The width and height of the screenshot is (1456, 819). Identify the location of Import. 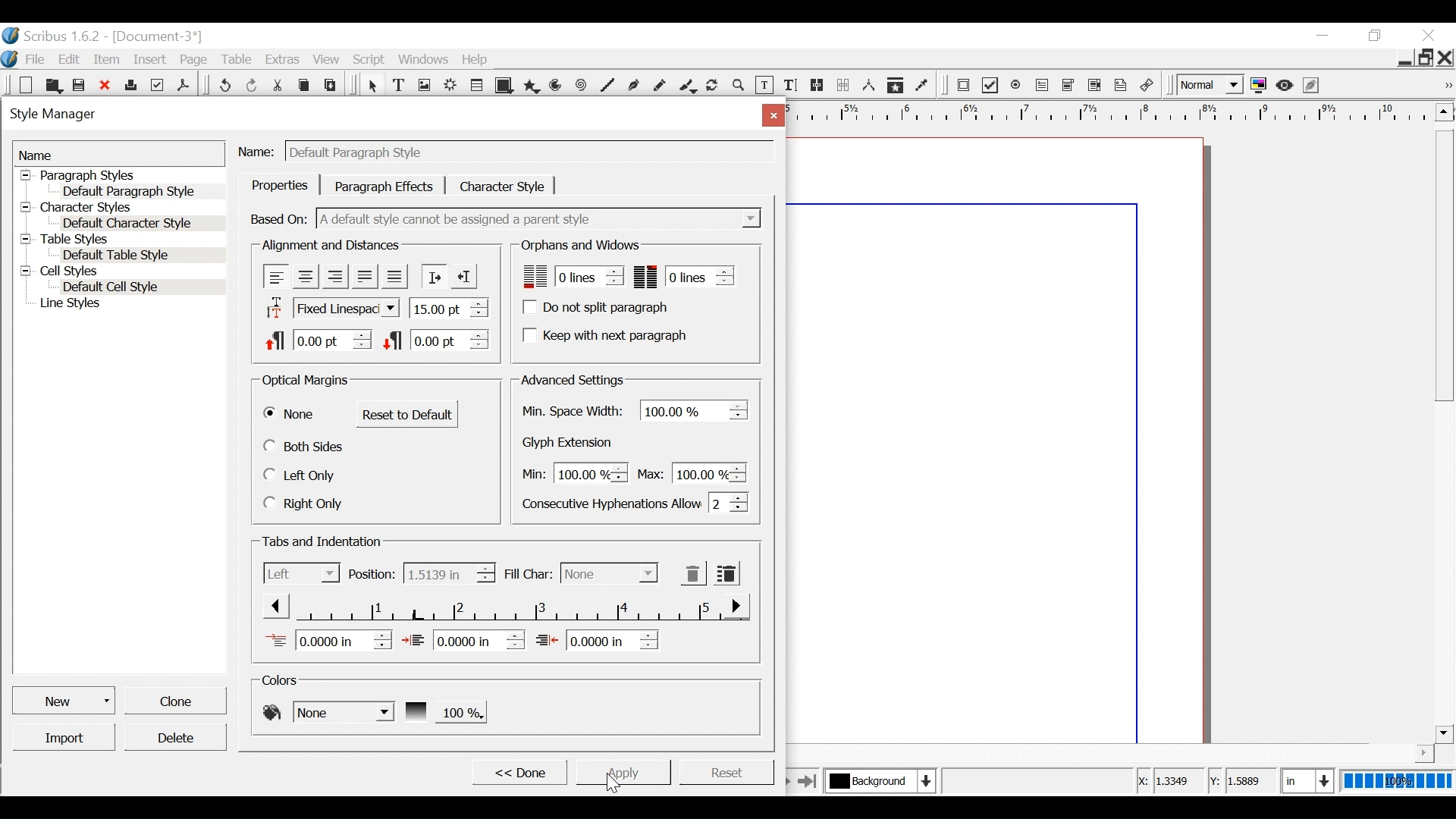
(65, 737).